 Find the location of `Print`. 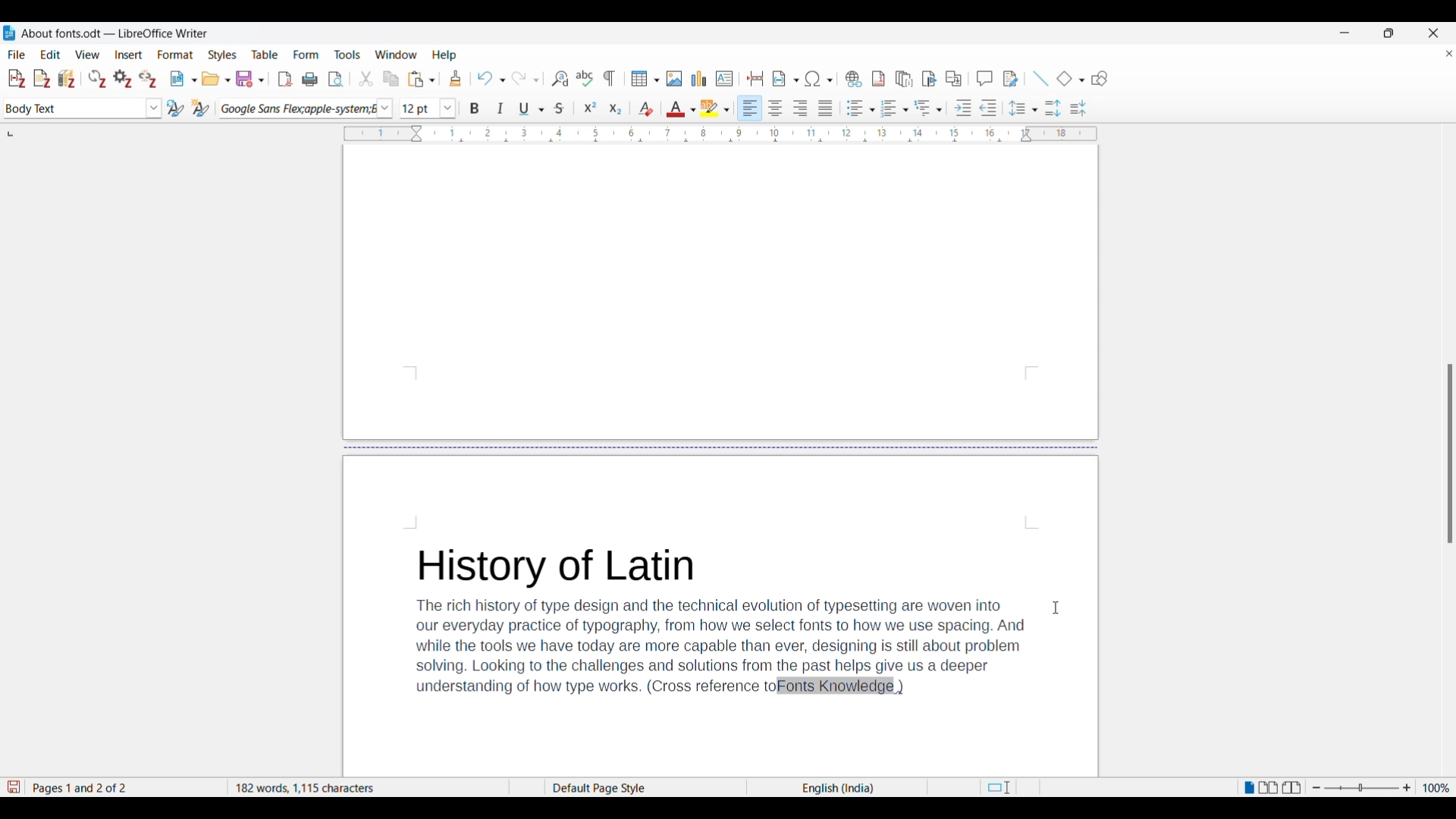

Print is located at coordinates (309, 80).